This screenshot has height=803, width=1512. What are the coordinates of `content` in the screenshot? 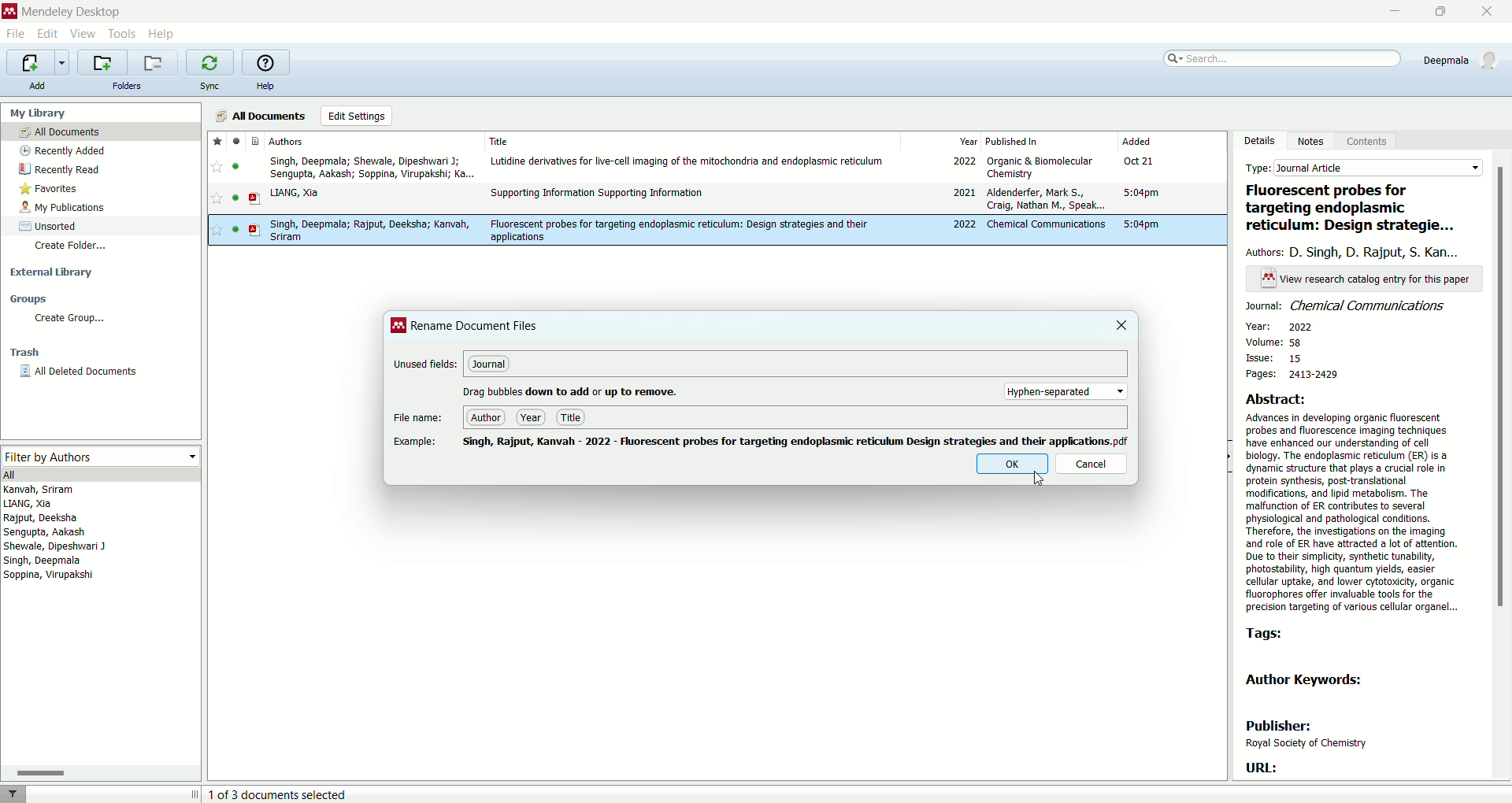 It's located at (1367, 142).